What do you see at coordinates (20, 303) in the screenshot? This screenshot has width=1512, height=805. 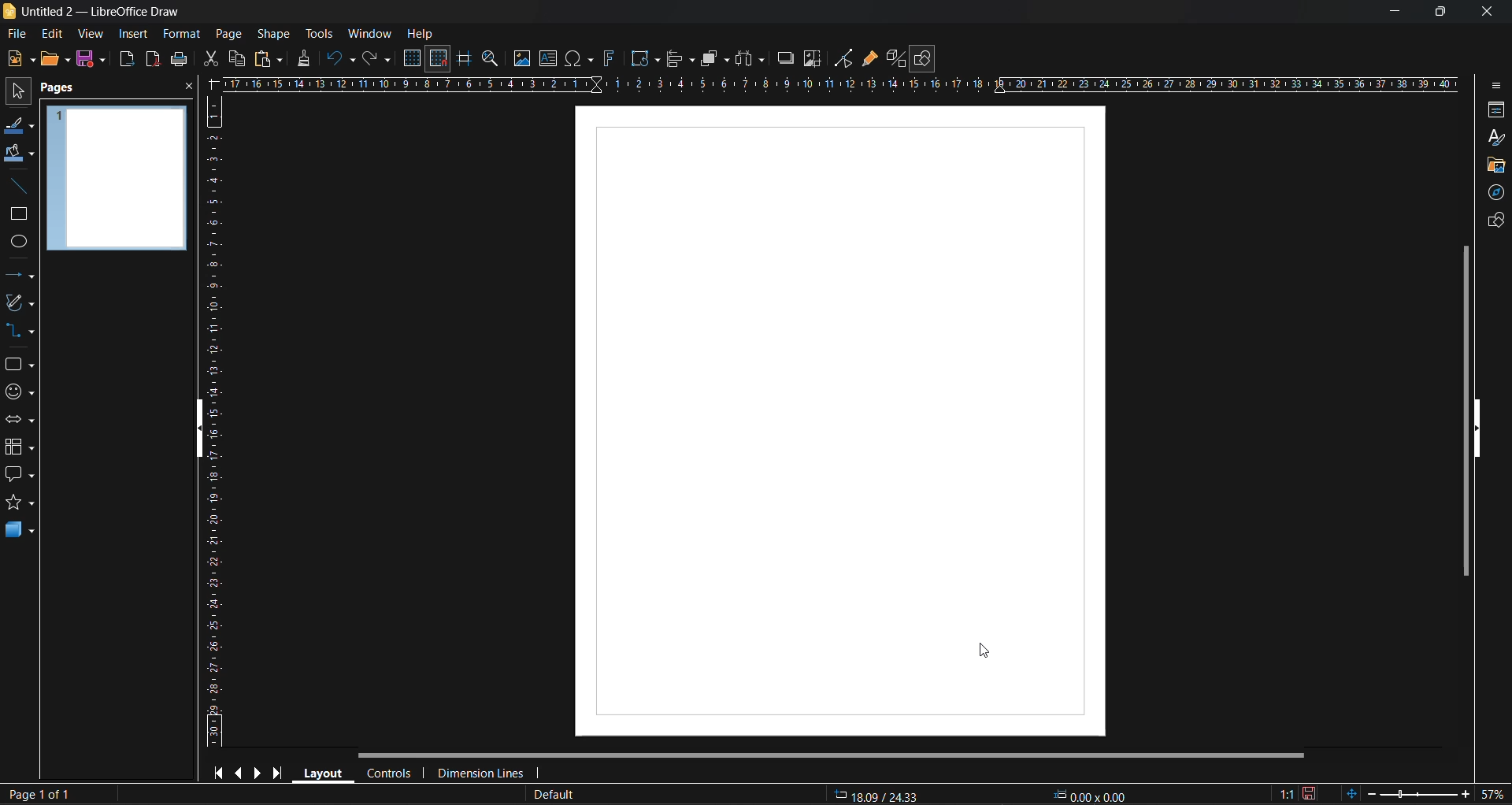 I see `curves and polygons` at bounding box center [20, 303].